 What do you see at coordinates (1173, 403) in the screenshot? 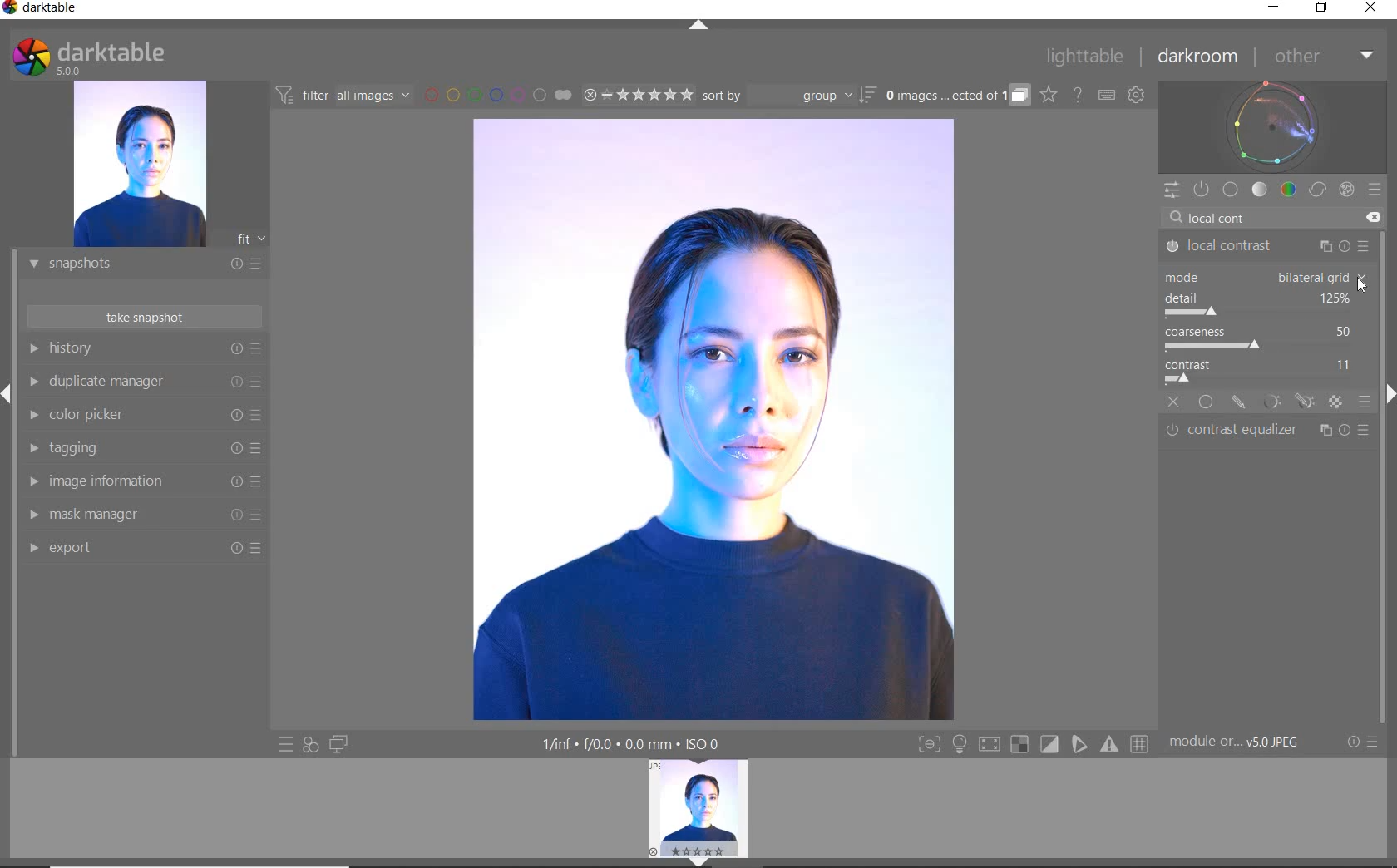
I see `OFF` at bounding box center [1173, 403].